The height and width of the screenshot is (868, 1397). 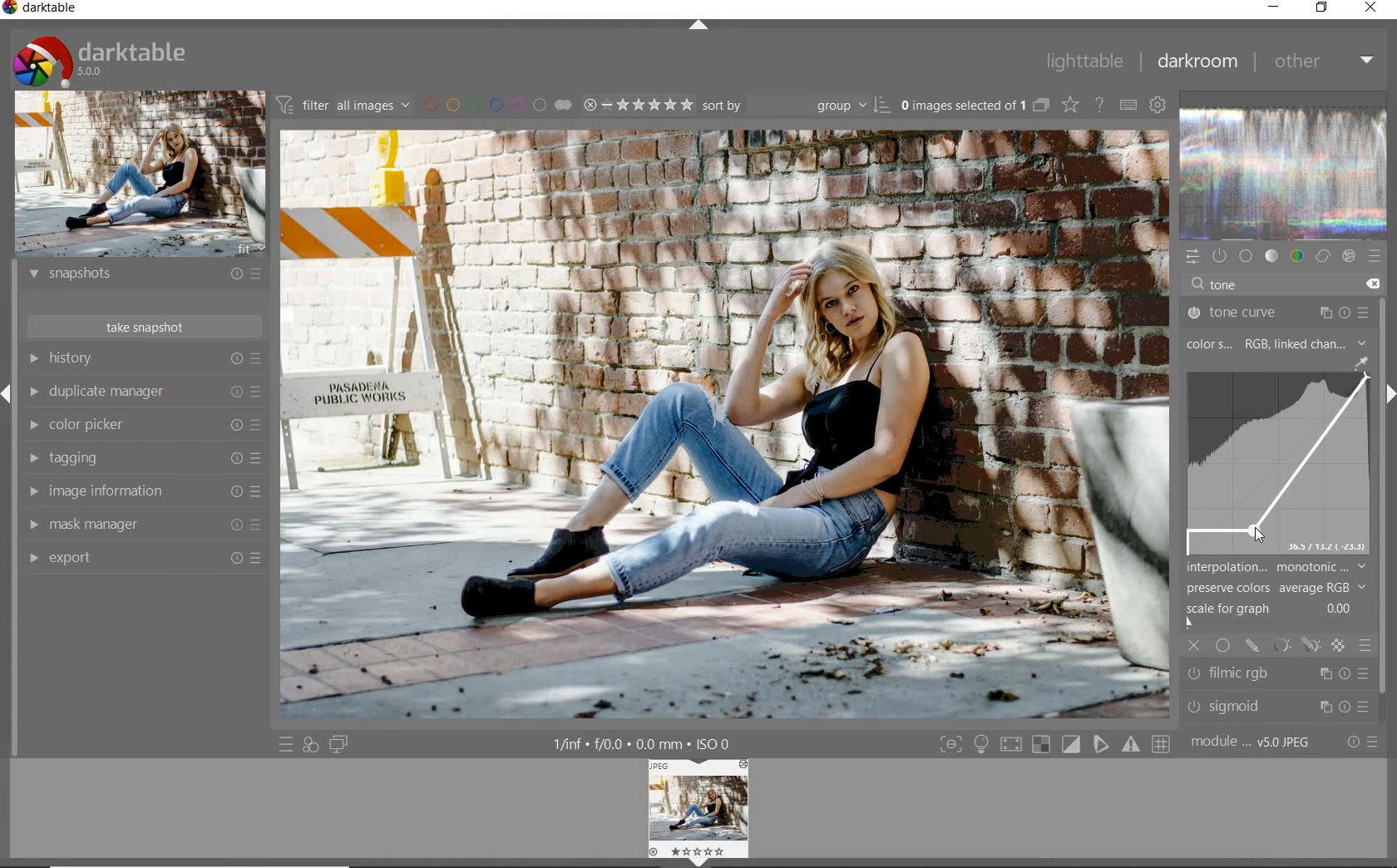 I want to click on mask options, so click(x=1294, y=646).